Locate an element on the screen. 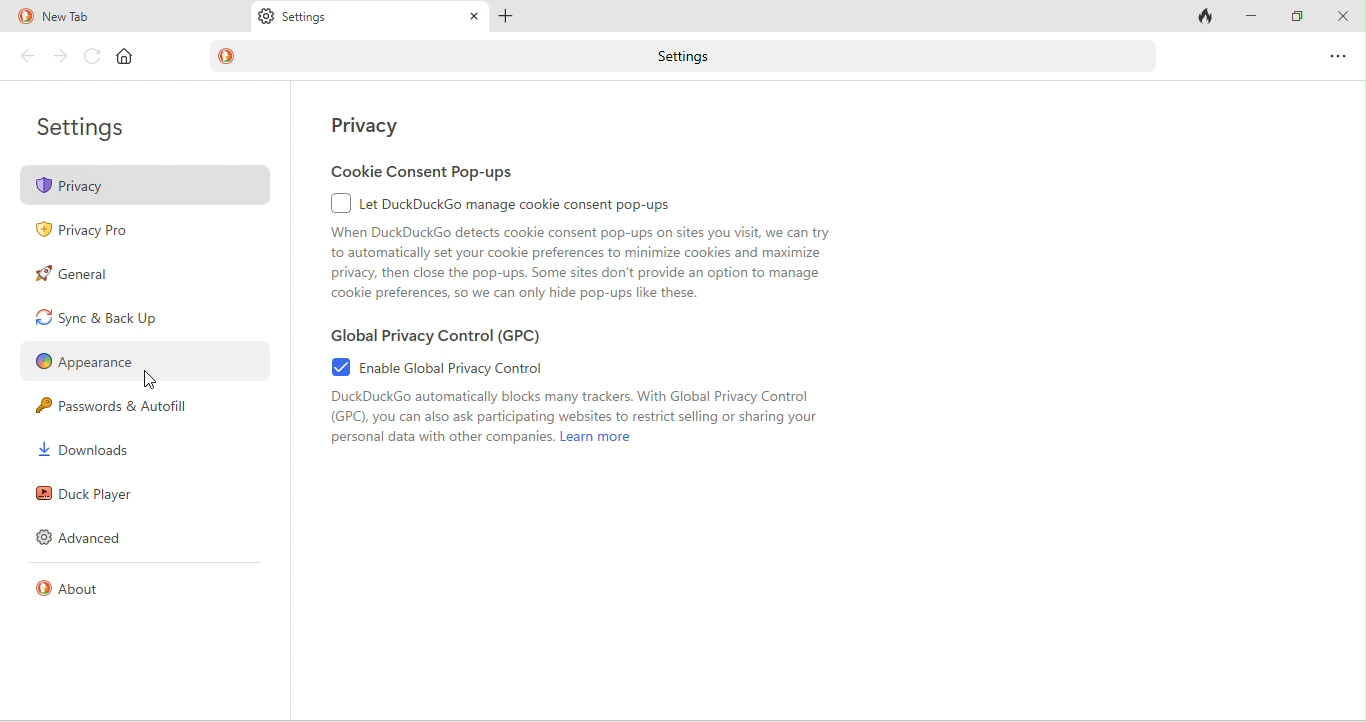 Image resolution: width=1366 pixels, height=722 pixels. enable checkbox is located at coordinates (333, 368).